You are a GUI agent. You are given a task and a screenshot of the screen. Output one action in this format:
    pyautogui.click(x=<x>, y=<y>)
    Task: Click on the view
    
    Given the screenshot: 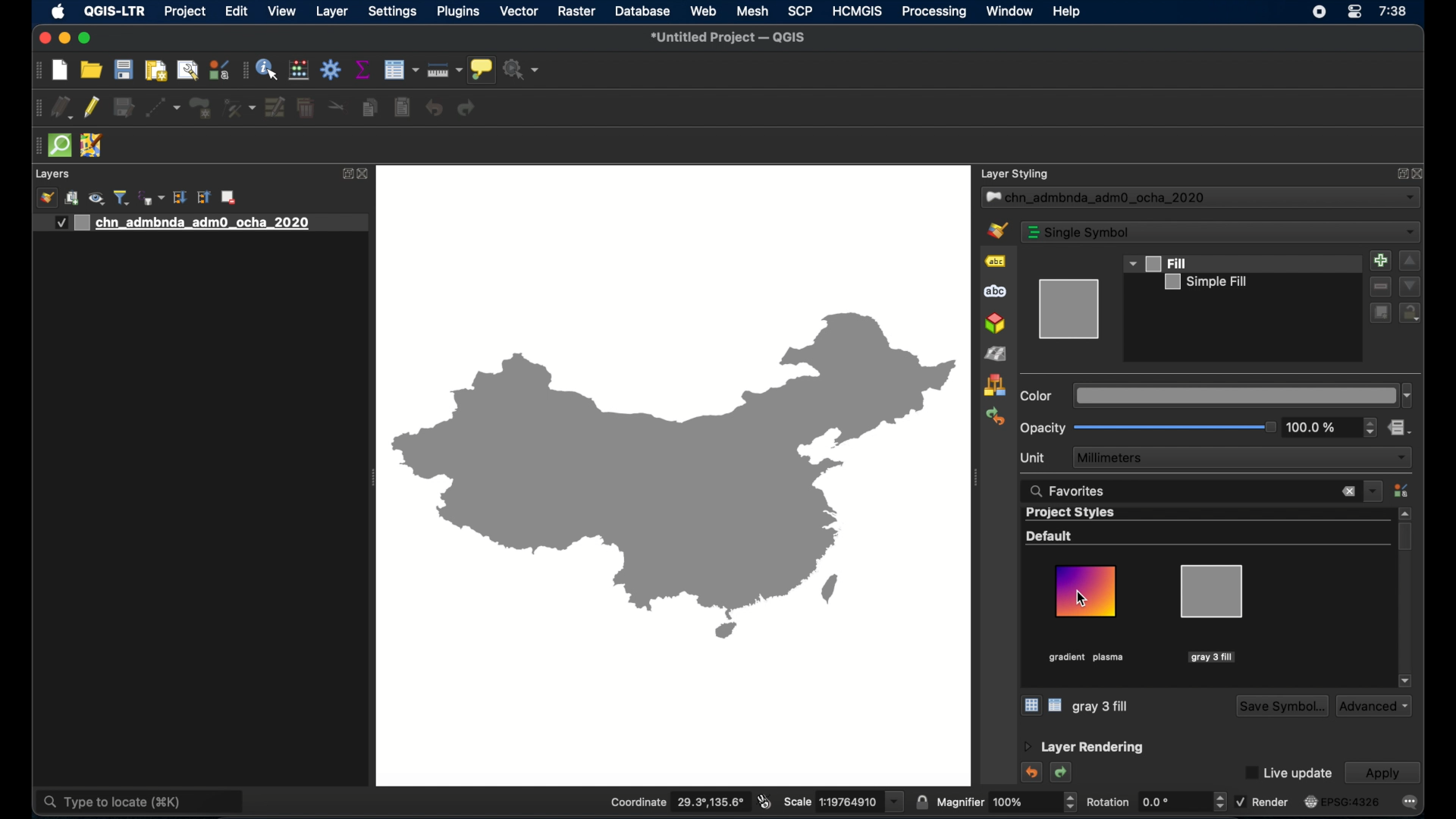 What is the action you would take?
    pyautogui.click(x=282, y=11)
    